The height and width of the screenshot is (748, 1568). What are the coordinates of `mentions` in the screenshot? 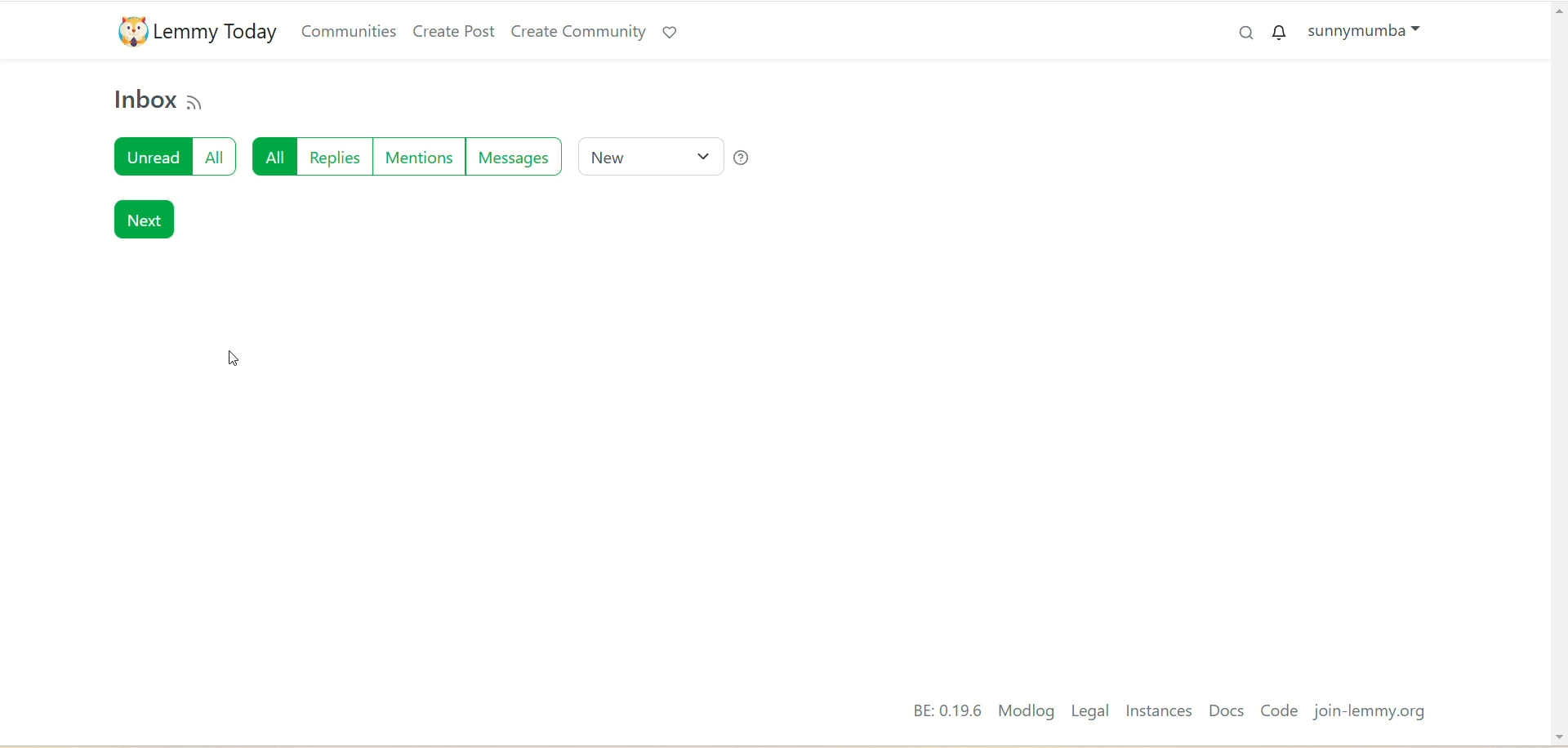 It's located at (416, 163).